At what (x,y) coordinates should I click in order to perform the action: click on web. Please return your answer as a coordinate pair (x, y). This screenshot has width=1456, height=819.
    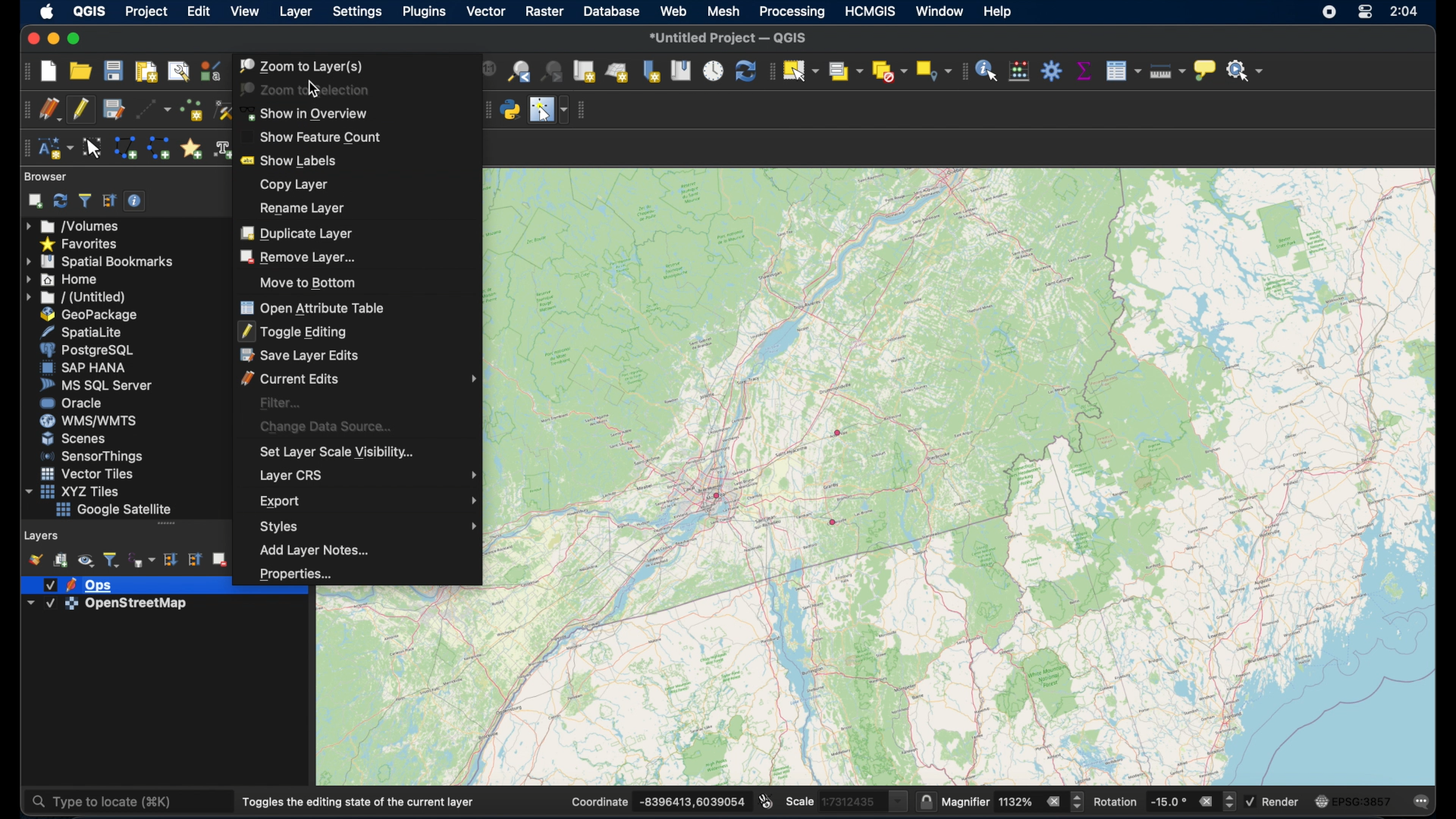
    Looking at the image, I should click on (674, 12).